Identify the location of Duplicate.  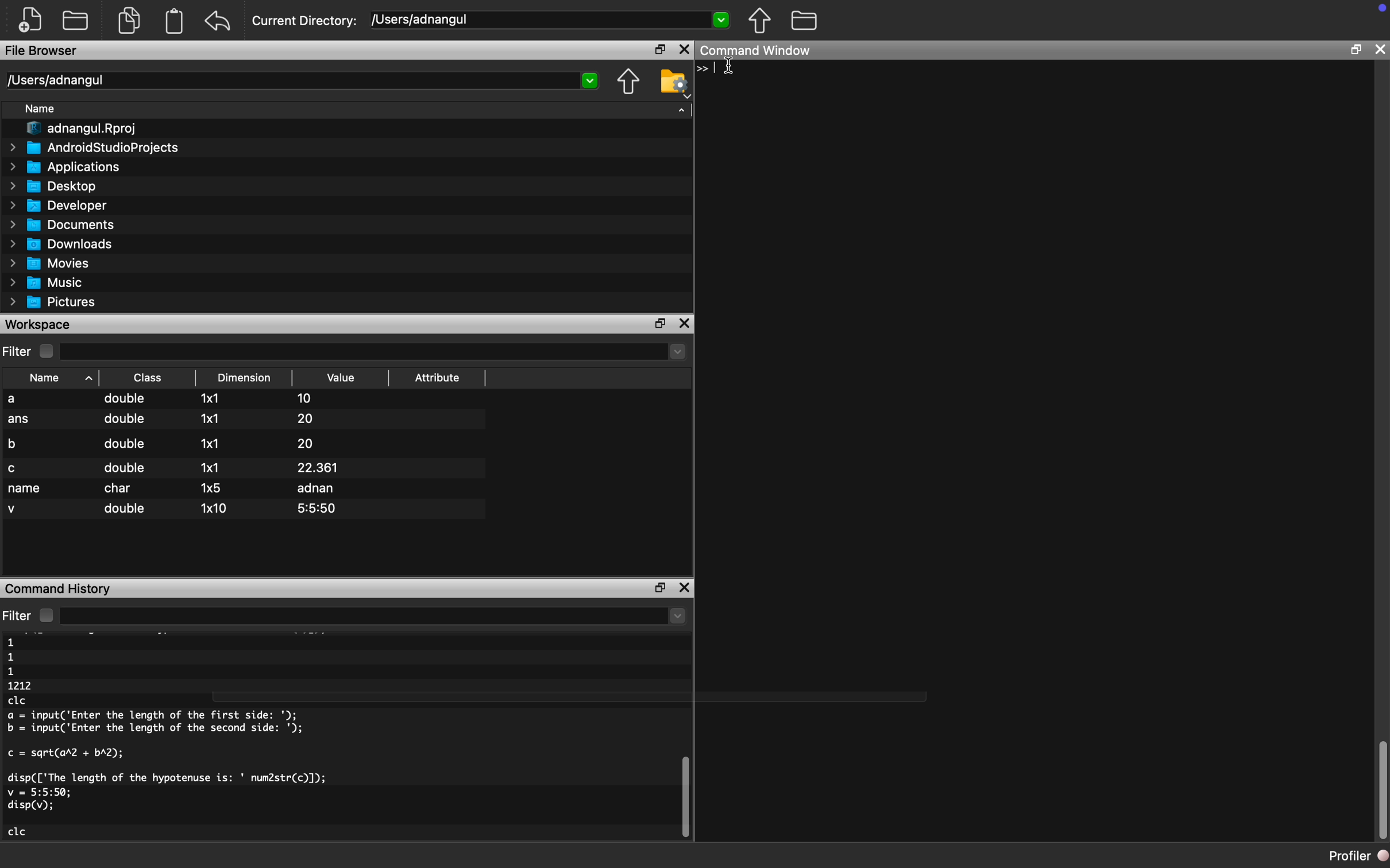
(128, 20).